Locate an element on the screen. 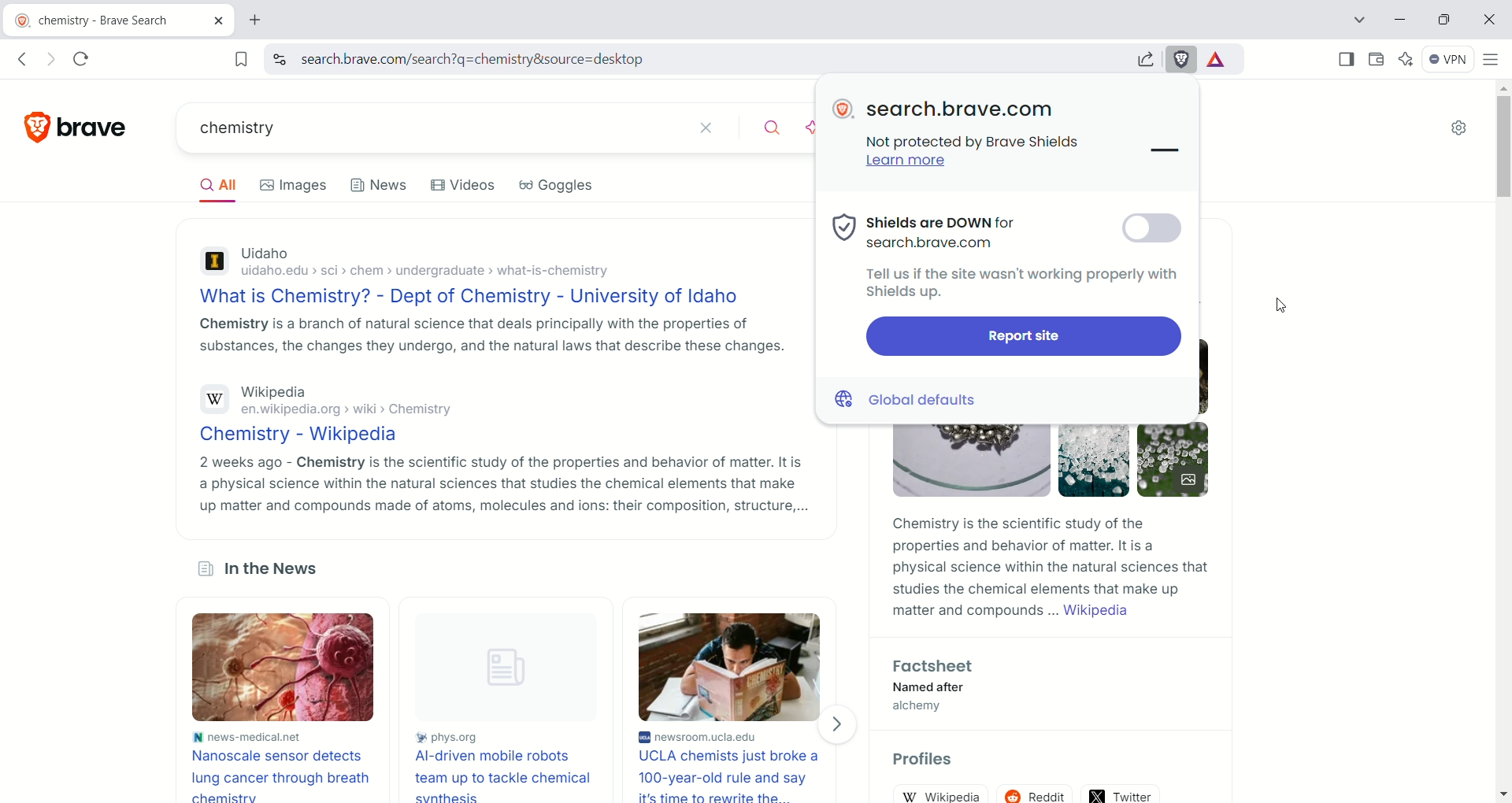  All is located at coordinates (216, 185).